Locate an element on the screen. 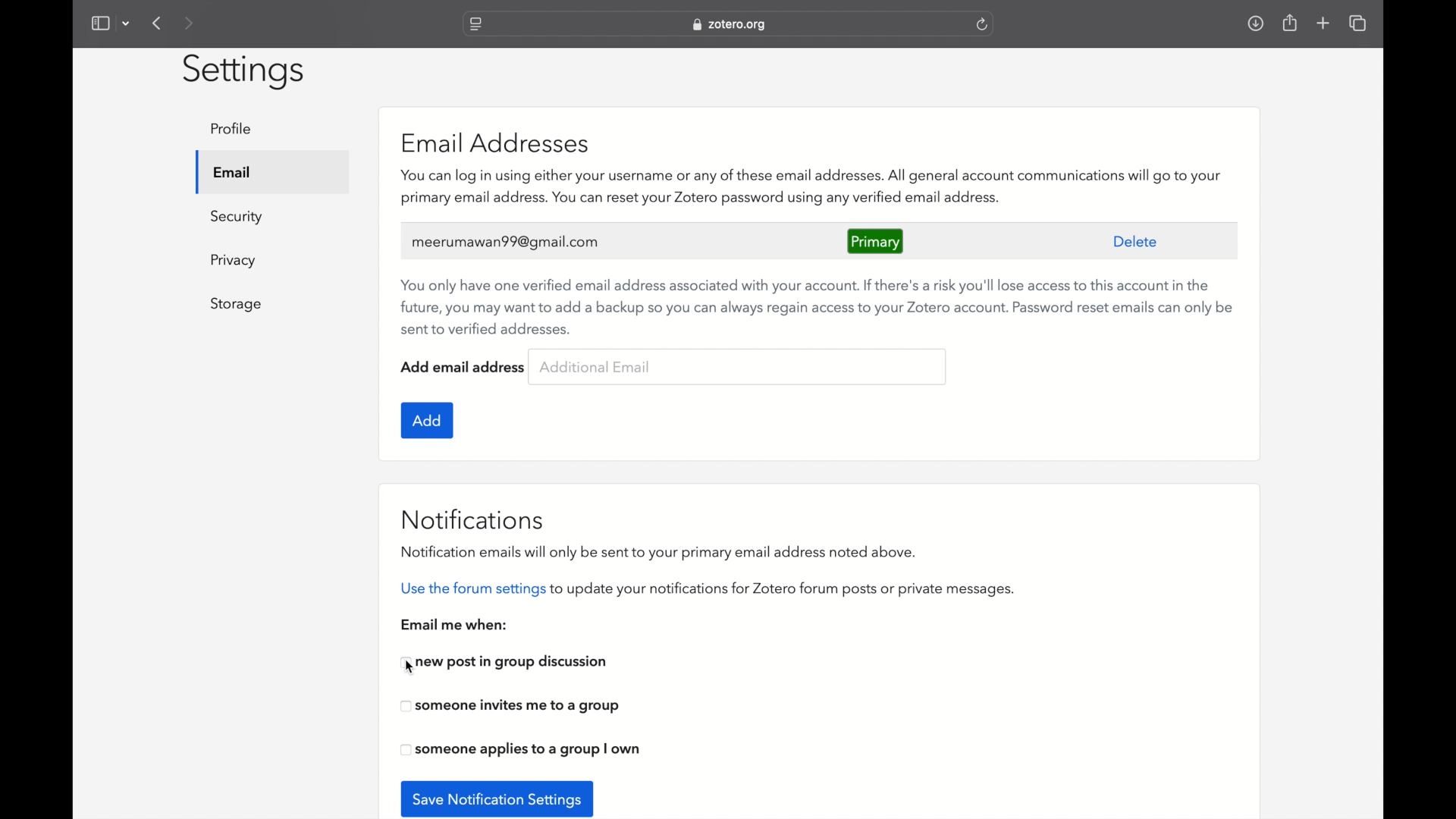 The width and height of the screenshot is (1456, 819). primary is located at coordinates (877, 240).